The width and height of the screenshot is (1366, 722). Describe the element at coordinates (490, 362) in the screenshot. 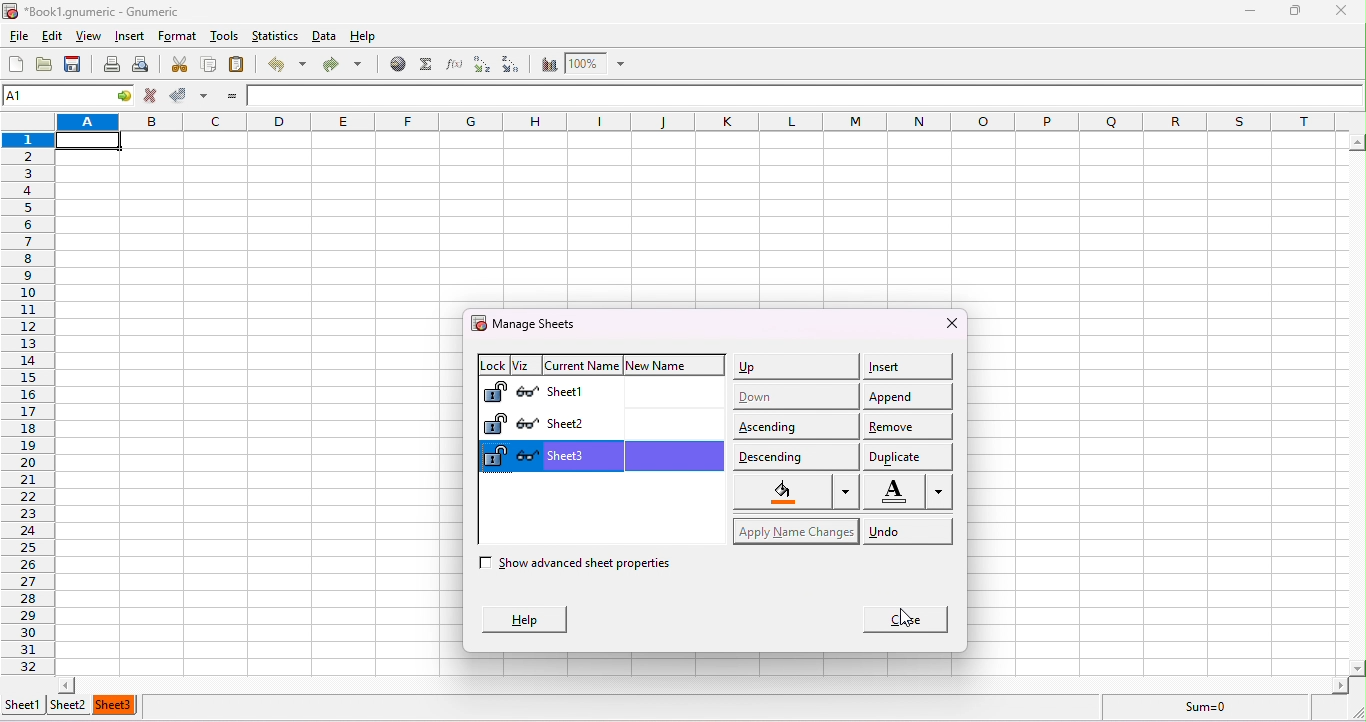

I see `lock` at that location.